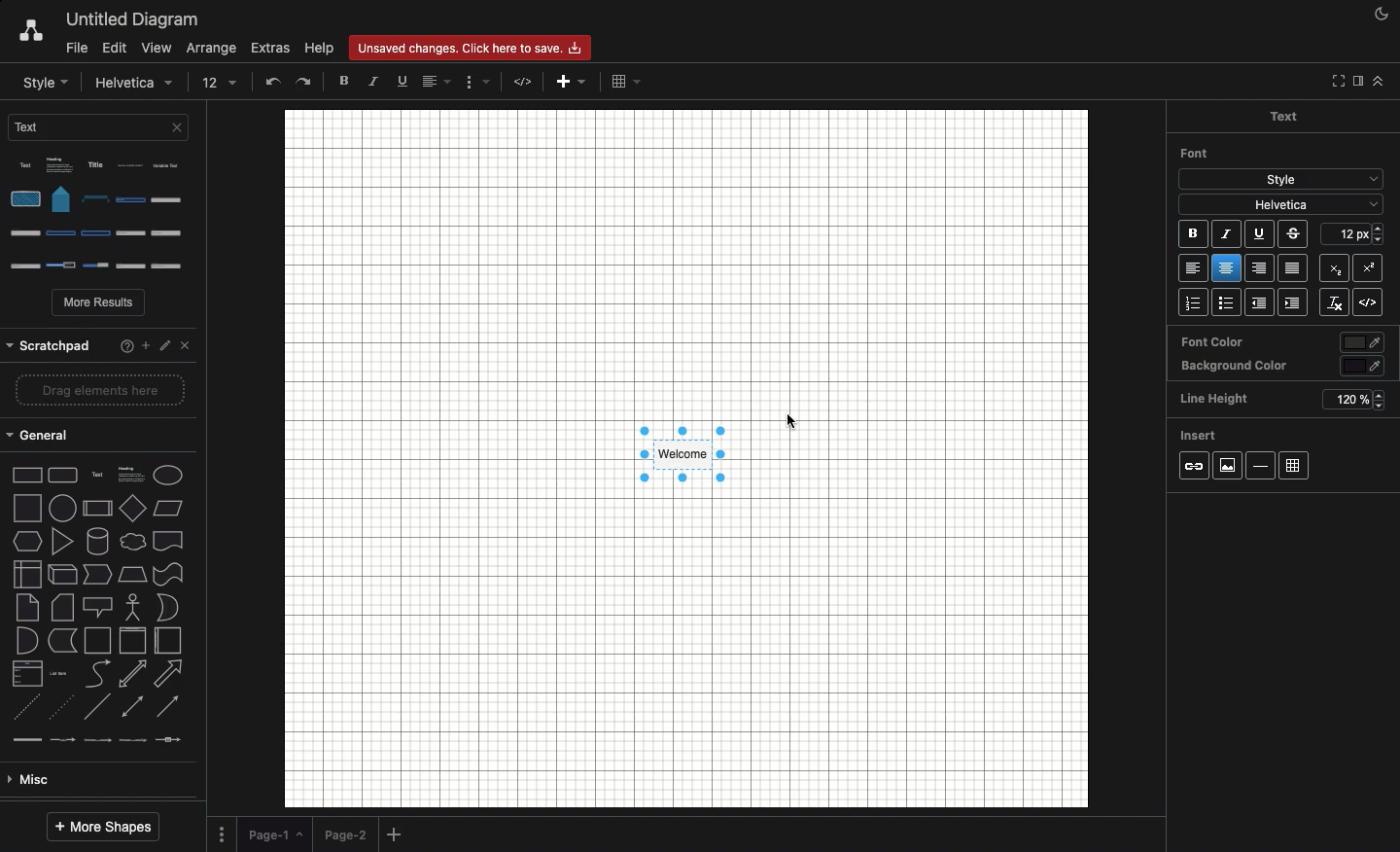 The height and width of the screenshot is (852, 1400). Describe the element at coordinates (1255, 302) in the screenshot. I see `Unindent` at that location.